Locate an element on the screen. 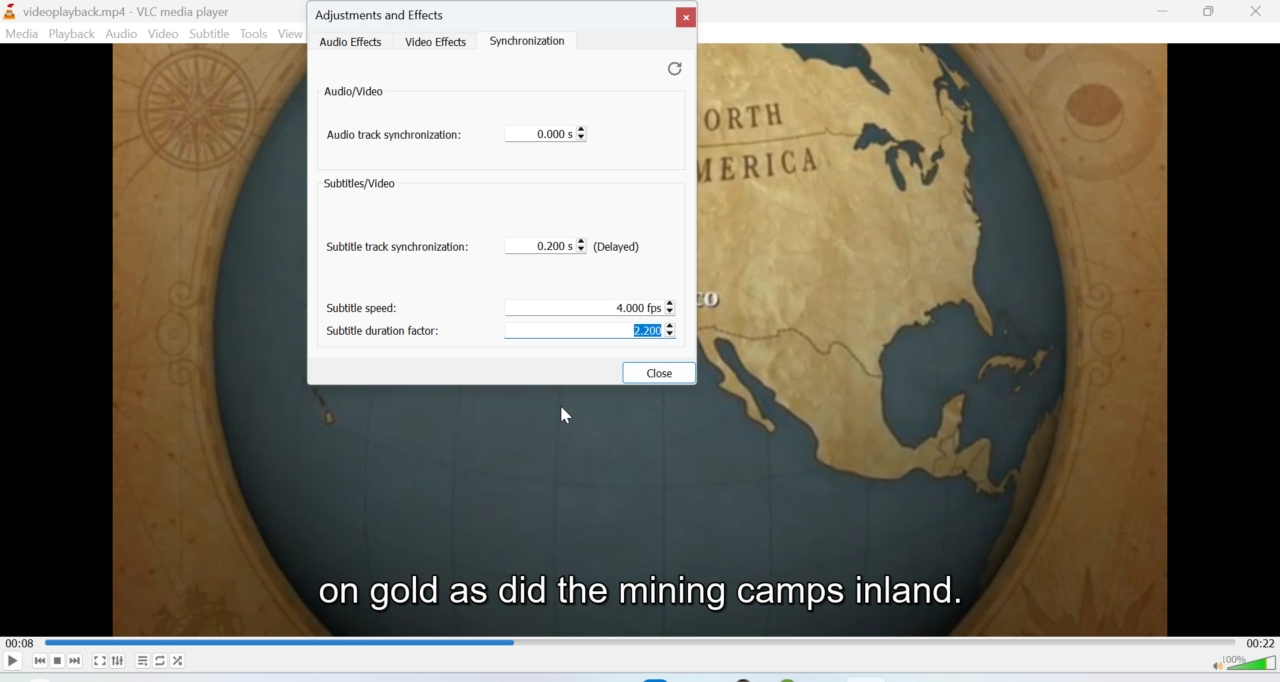 This screenshot has width=1280, height=682. Stop is located at coordinates (58, 661).